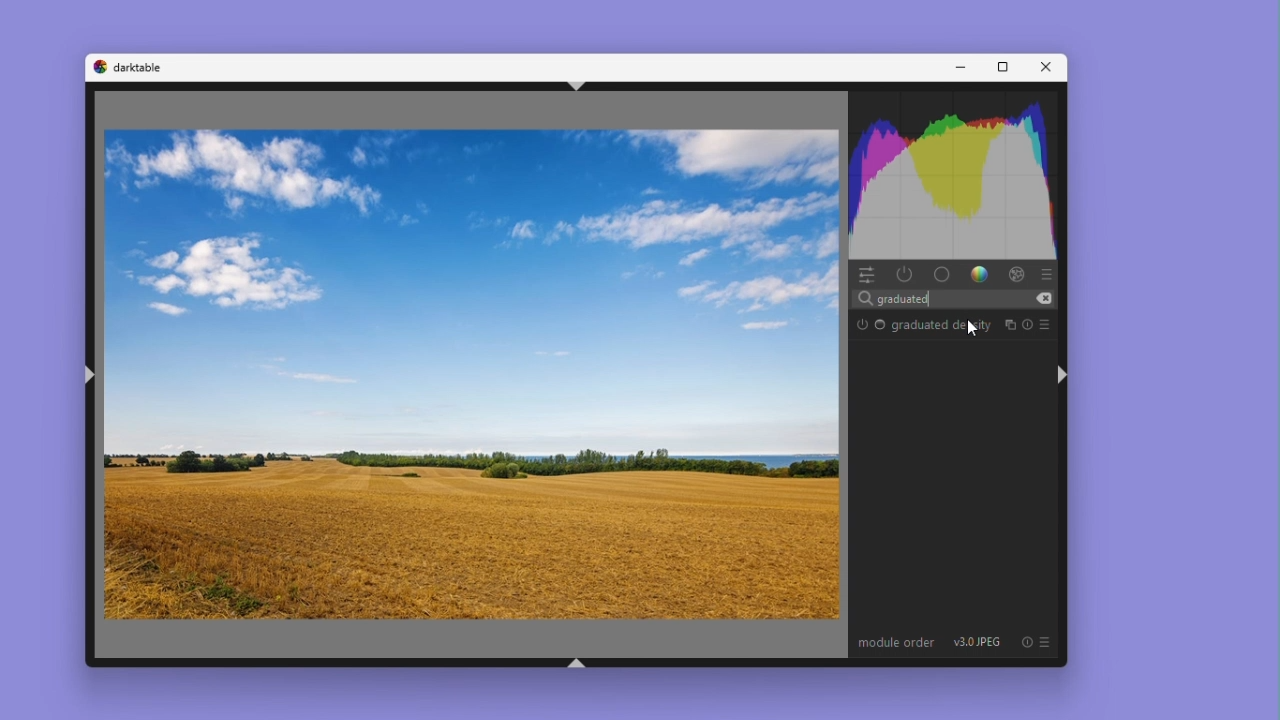 This screenshot has width=1280, height=720. Describe the element at coordinates (862, 324) in the screenshot. I see `graduated density` at that location.